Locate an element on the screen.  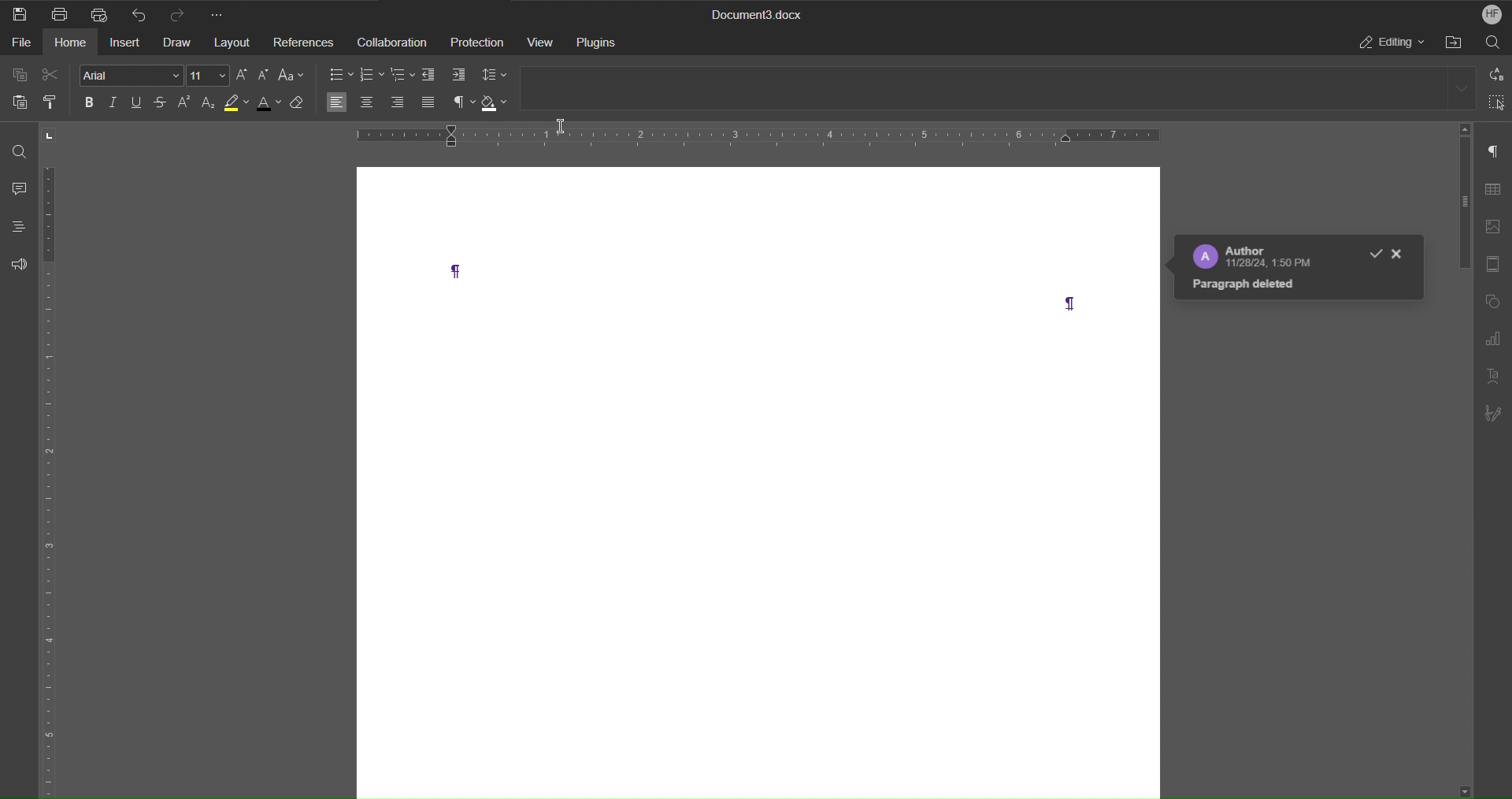
Multilevel list is located at coordinates (402, 72).